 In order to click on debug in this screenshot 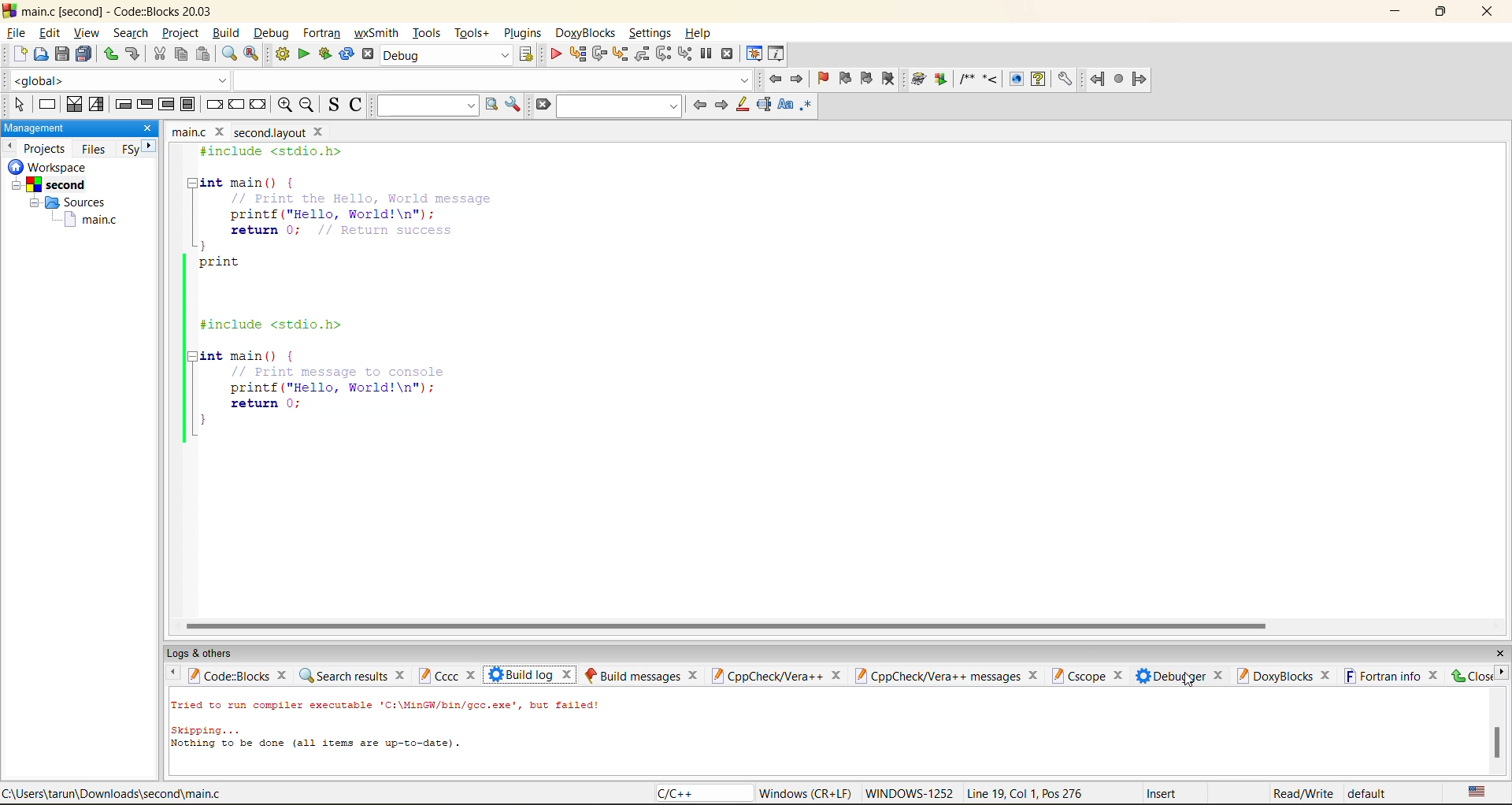, I will do `click(272, 32)`.